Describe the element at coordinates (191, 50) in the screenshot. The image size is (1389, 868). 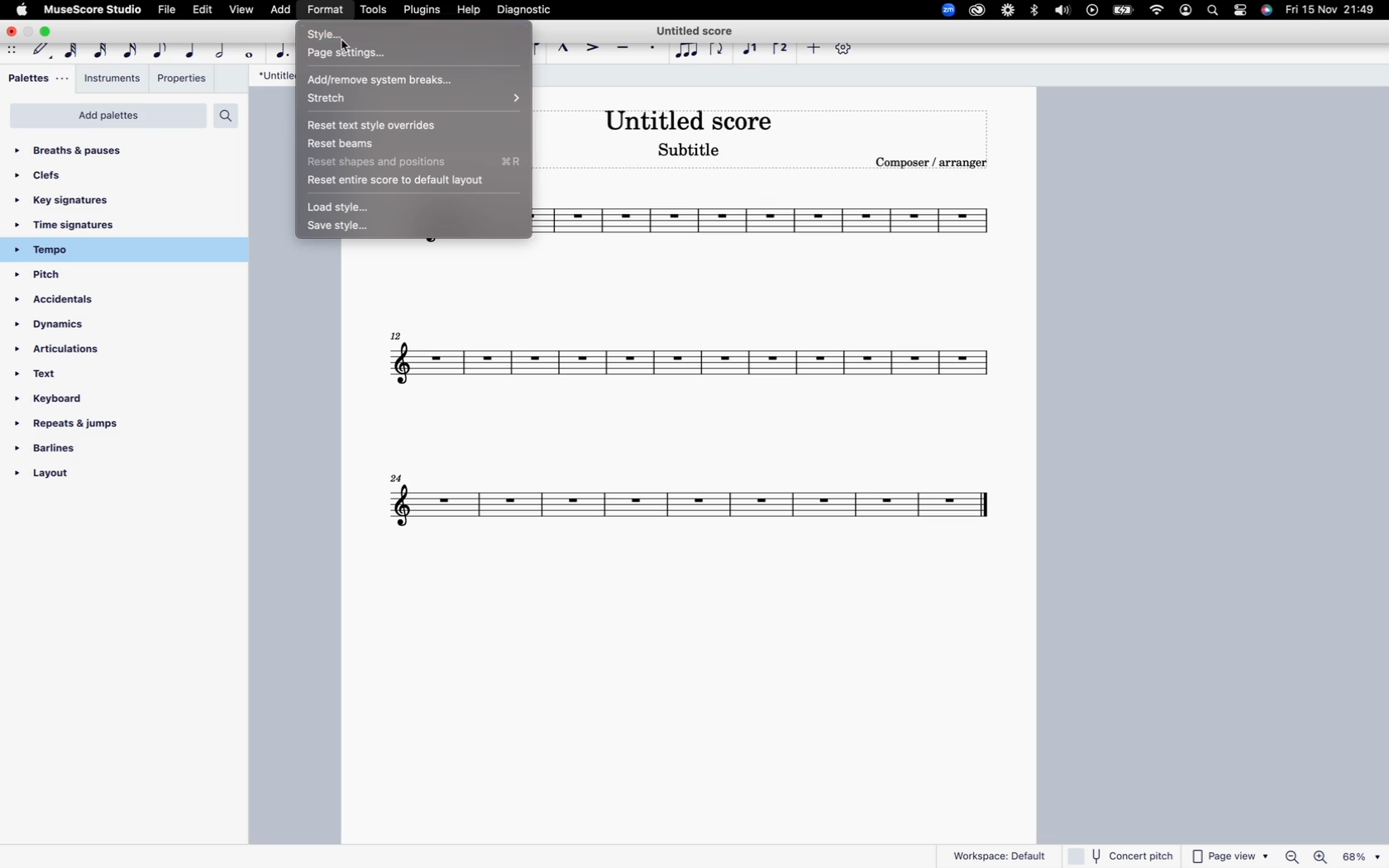
I see `quarter note` at that location.